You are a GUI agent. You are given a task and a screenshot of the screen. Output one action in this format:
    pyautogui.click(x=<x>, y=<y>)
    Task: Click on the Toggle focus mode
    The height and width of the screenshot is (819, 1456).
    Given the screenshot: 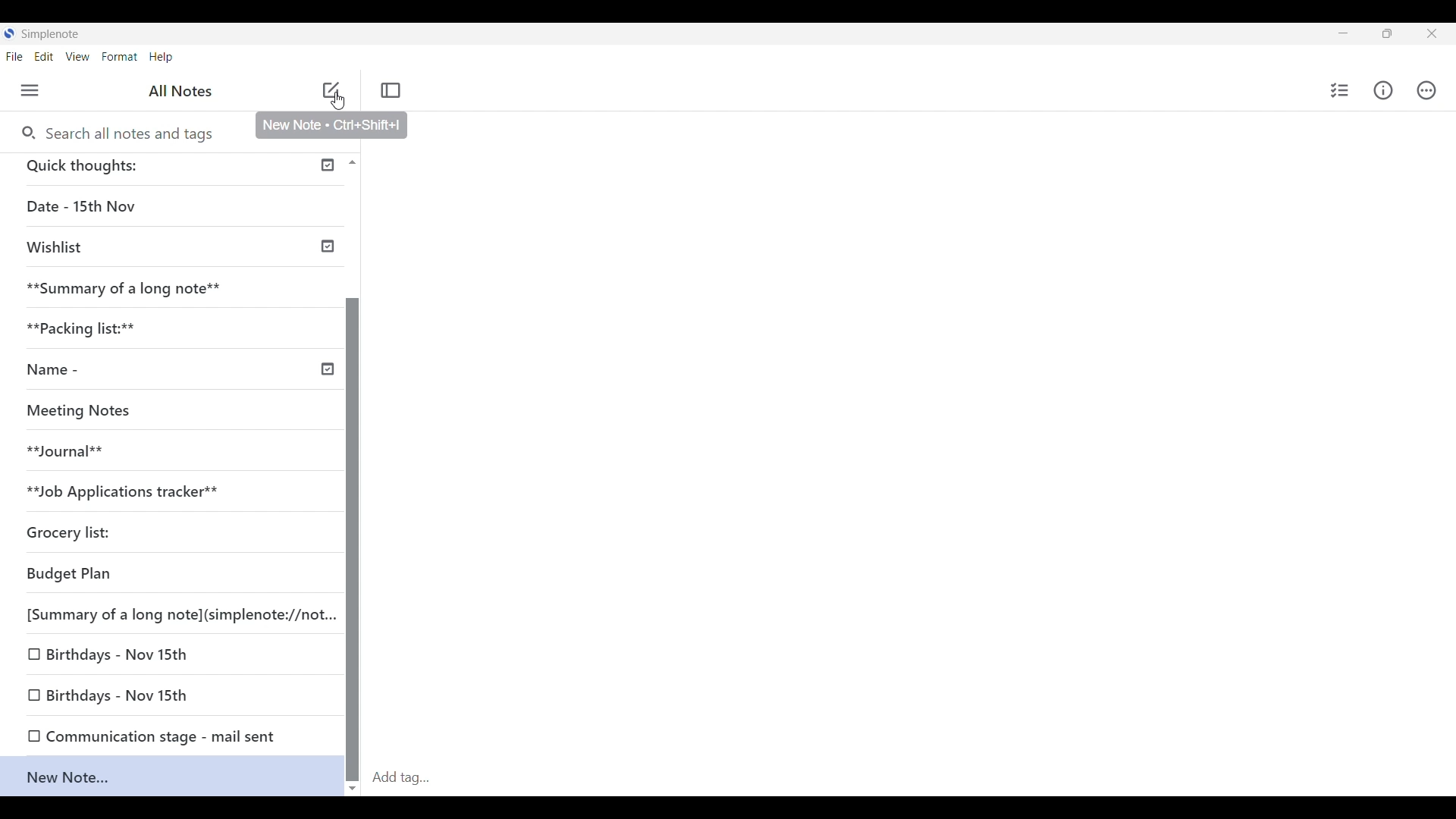 What is the action you would take?
    pyautogui.click(x=391, y=90)
    